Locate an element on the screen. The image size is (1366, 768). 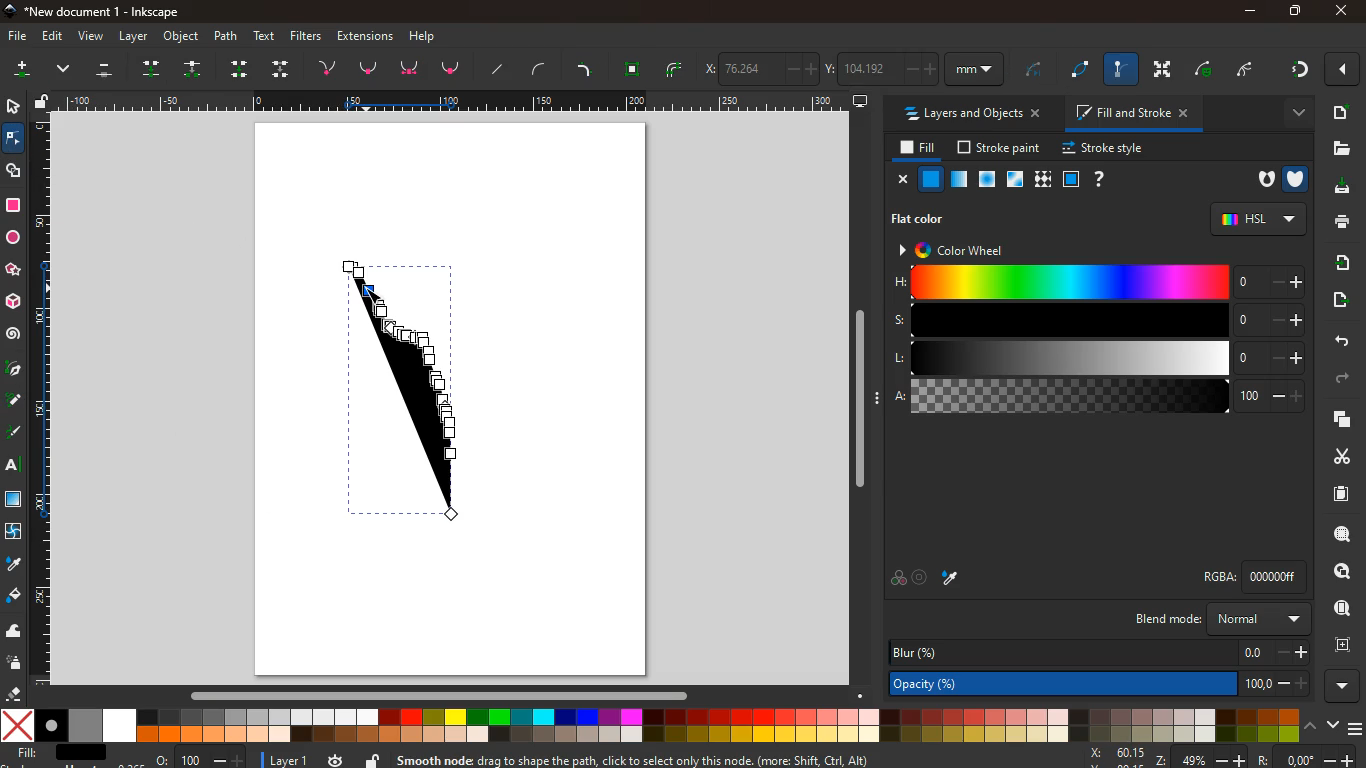
print is located at coordinates (1341, 223).